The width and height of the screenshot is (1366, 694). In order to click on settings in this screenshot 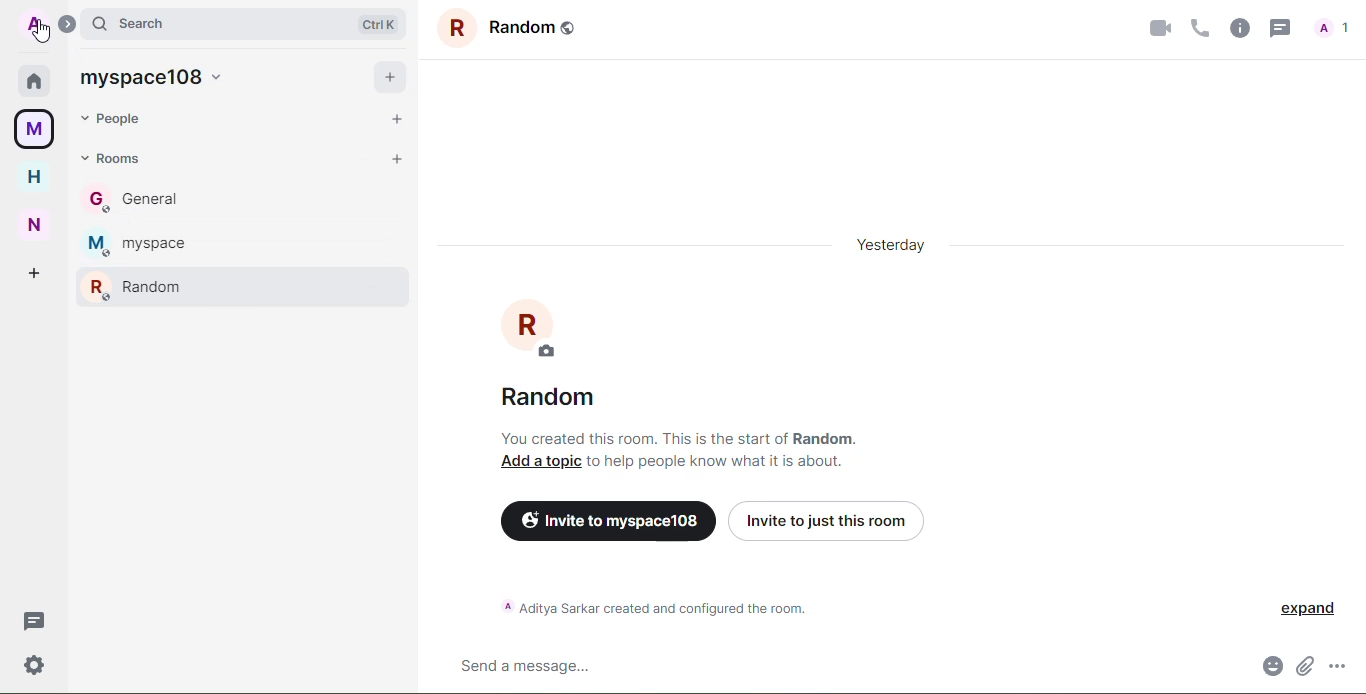, I will do `click(32, 665)`.